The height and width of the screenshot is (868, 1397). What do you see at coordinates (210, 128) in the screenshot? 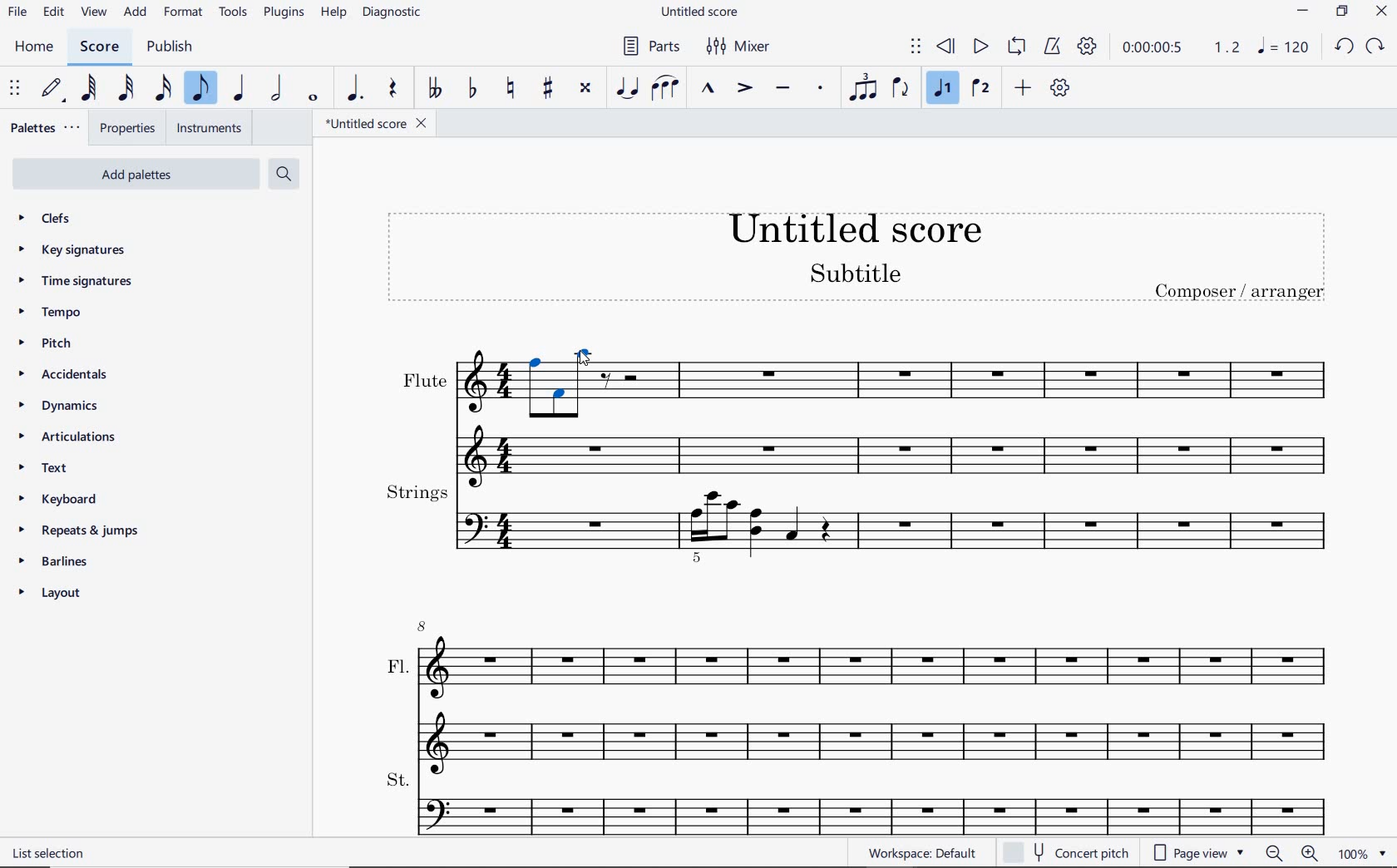
I see `INSTRUMENTS` at bounding box center [210, 128].